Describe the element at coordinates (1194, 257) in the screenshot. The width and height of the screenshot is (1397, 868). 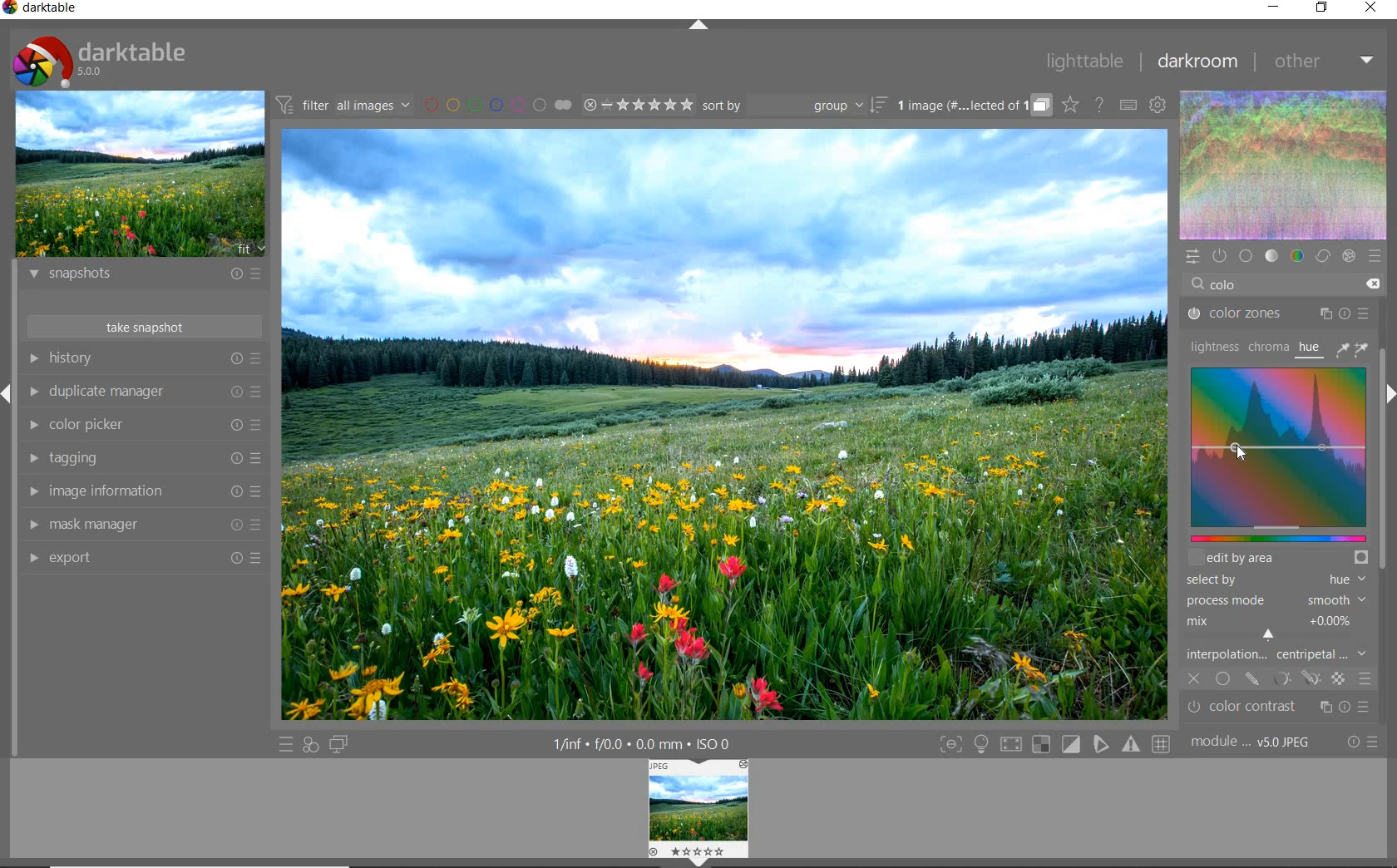
I see `quick access panel` at that location.